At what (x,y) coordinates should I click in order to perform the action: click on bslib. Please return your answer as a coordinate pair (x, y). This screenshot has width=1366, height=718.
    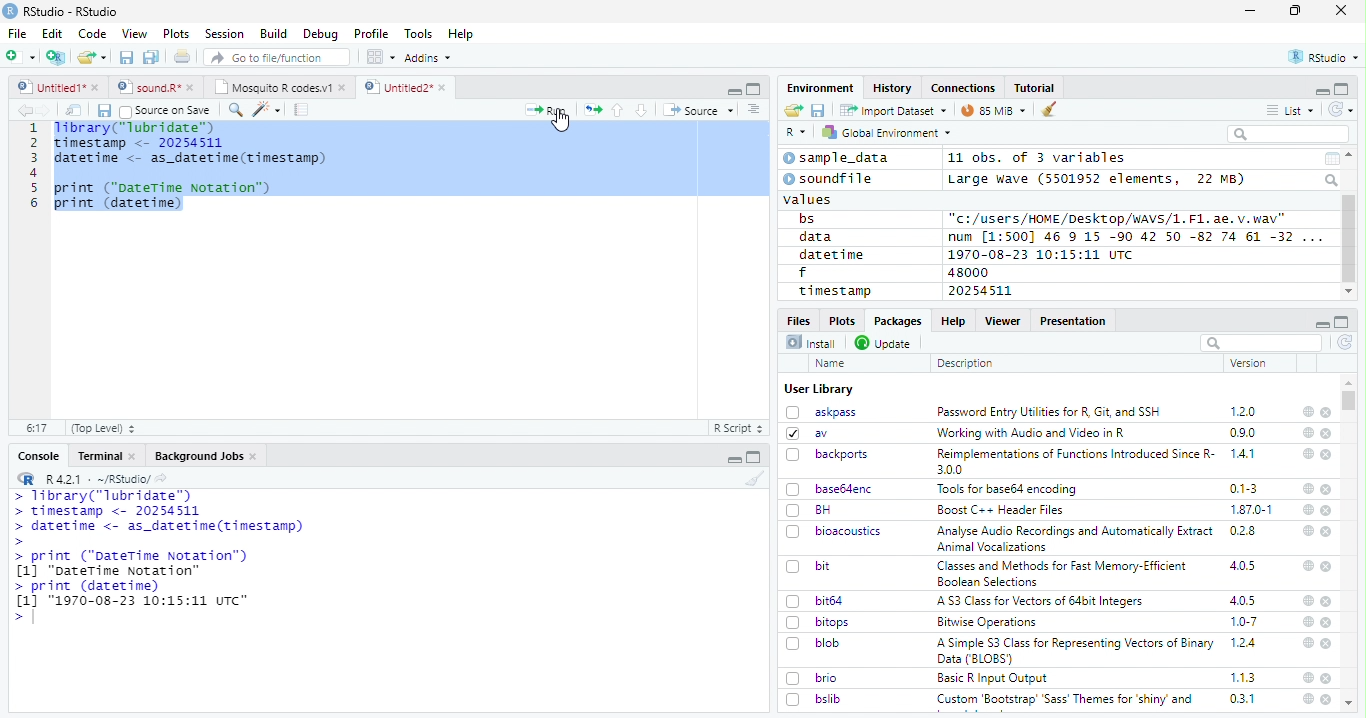
    Looking at the image, I should click on (814, 698).